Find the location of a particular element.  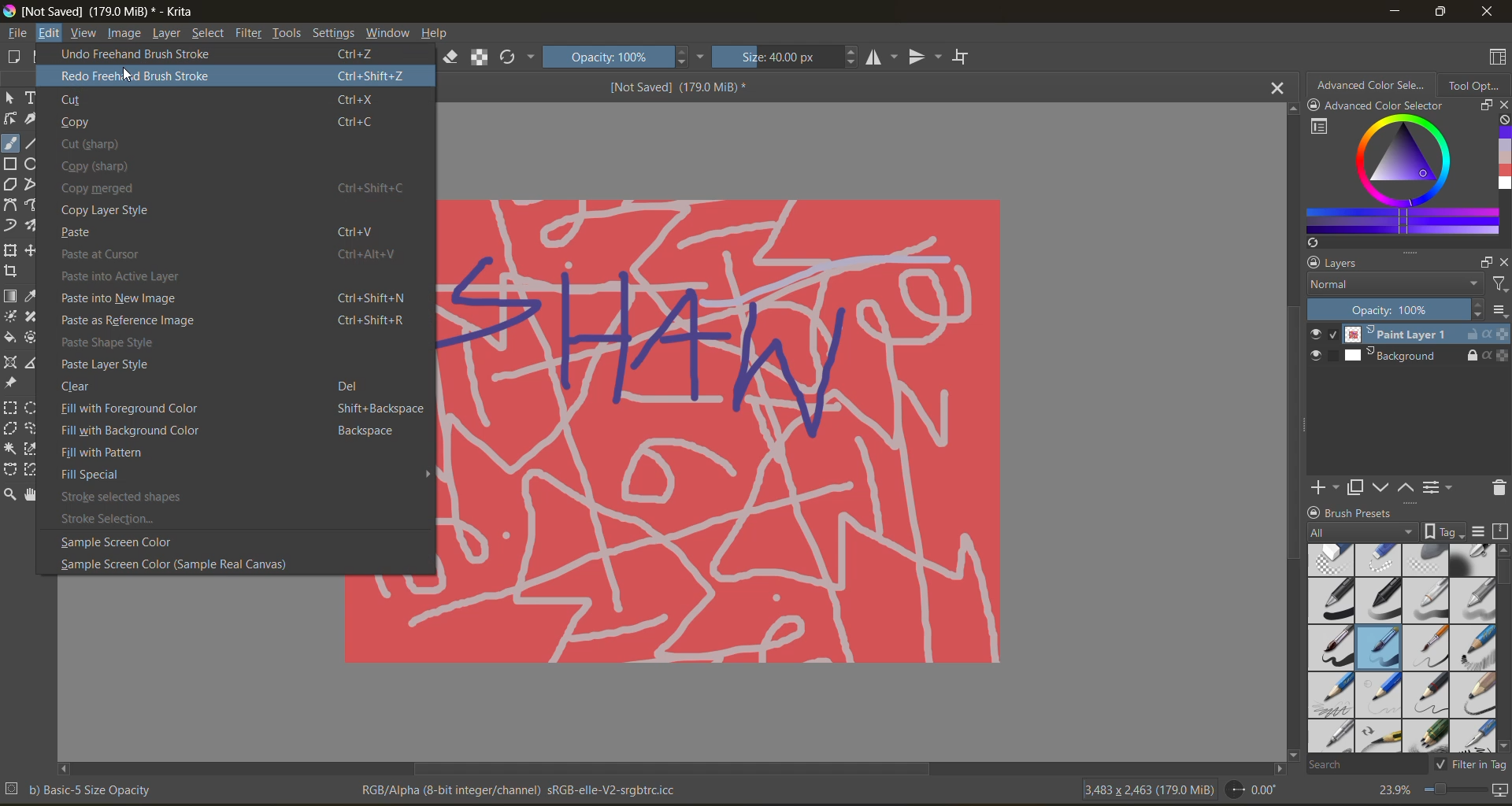

paste shape style is located at coordinates (110, 343).